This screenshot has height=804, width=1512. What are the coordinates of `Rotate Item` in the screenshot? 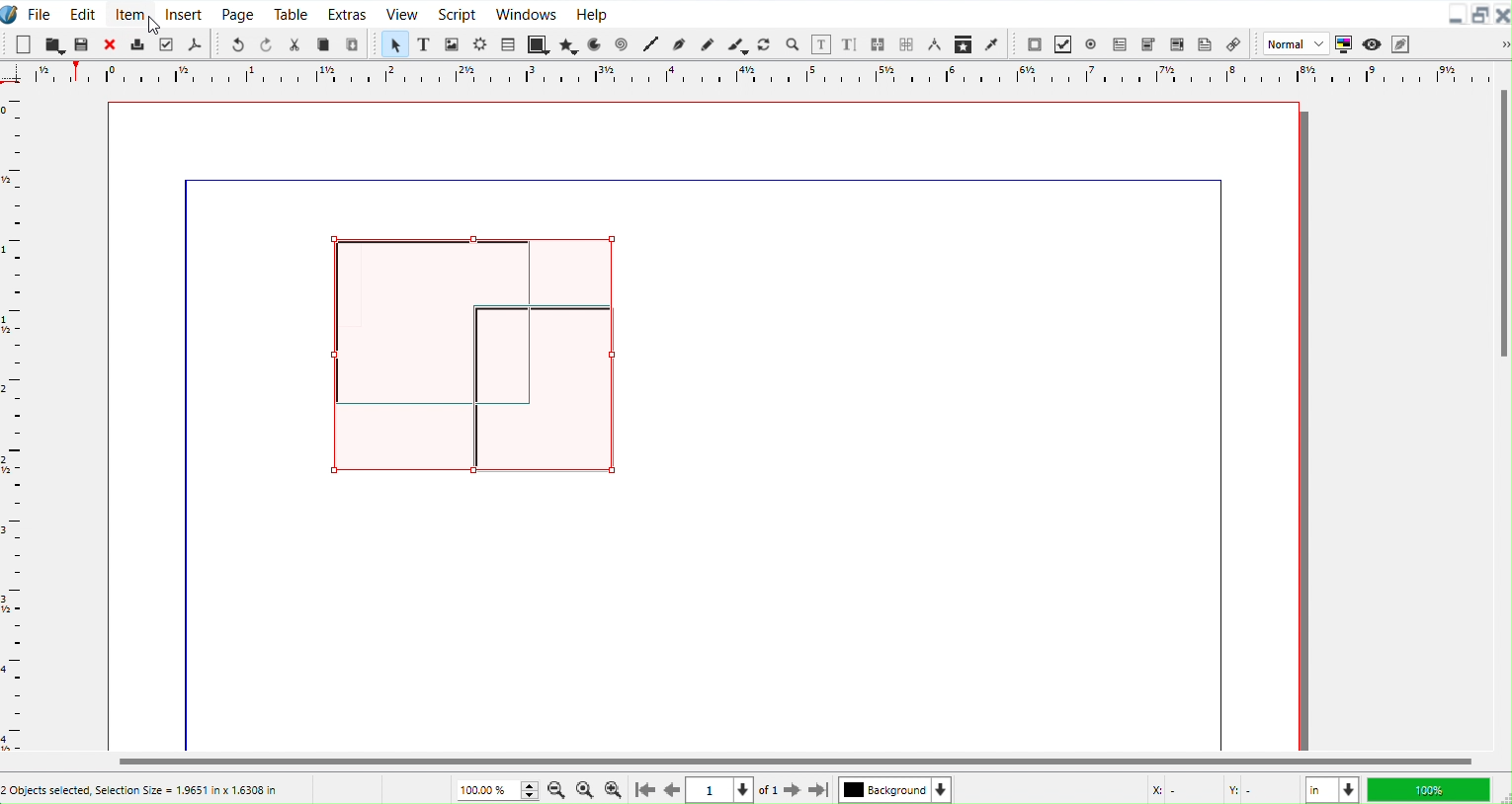 It's located at (765, 44).